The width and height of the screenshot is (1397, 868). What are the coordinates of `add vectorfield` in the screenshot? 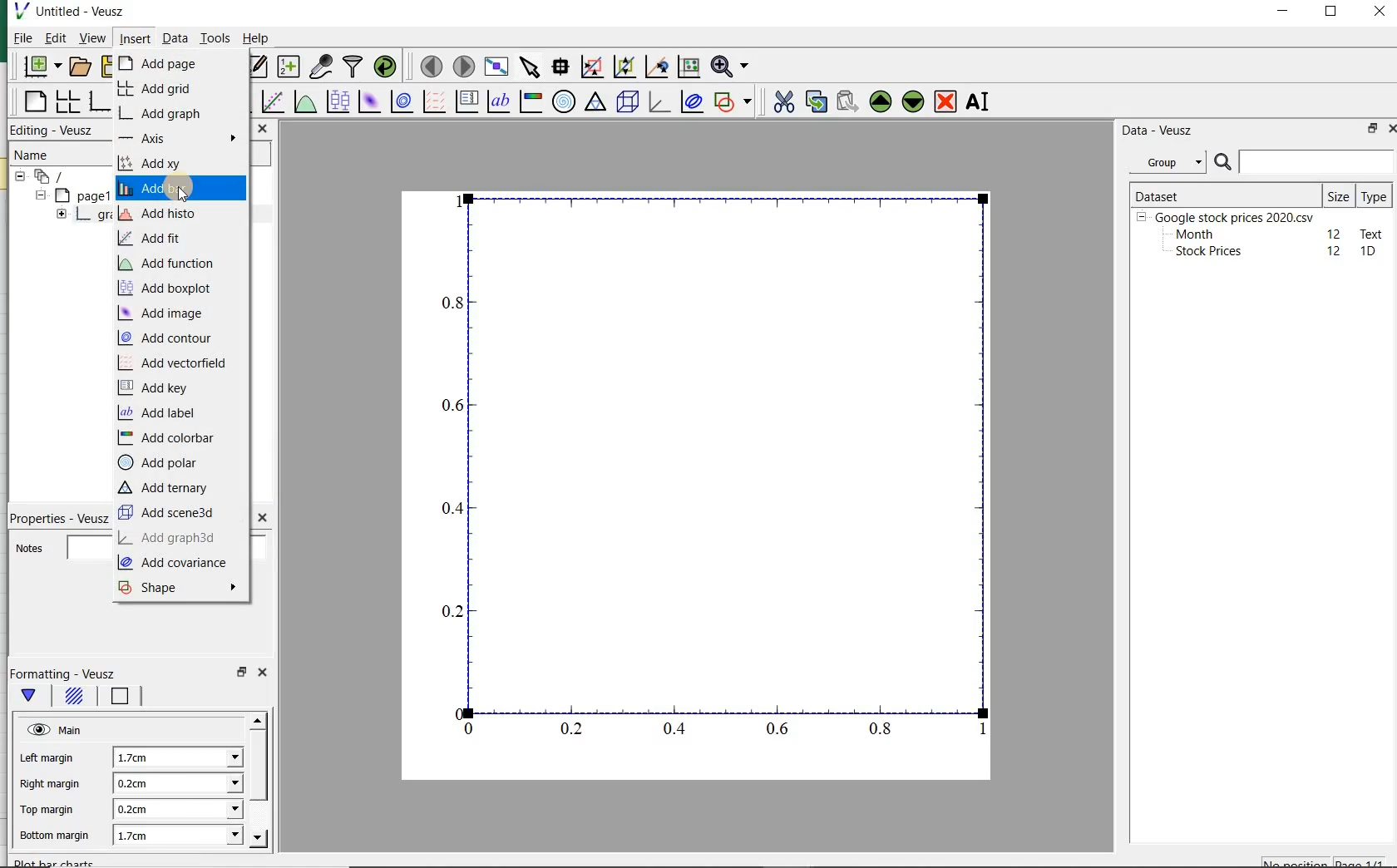 It's located at (176, 362).